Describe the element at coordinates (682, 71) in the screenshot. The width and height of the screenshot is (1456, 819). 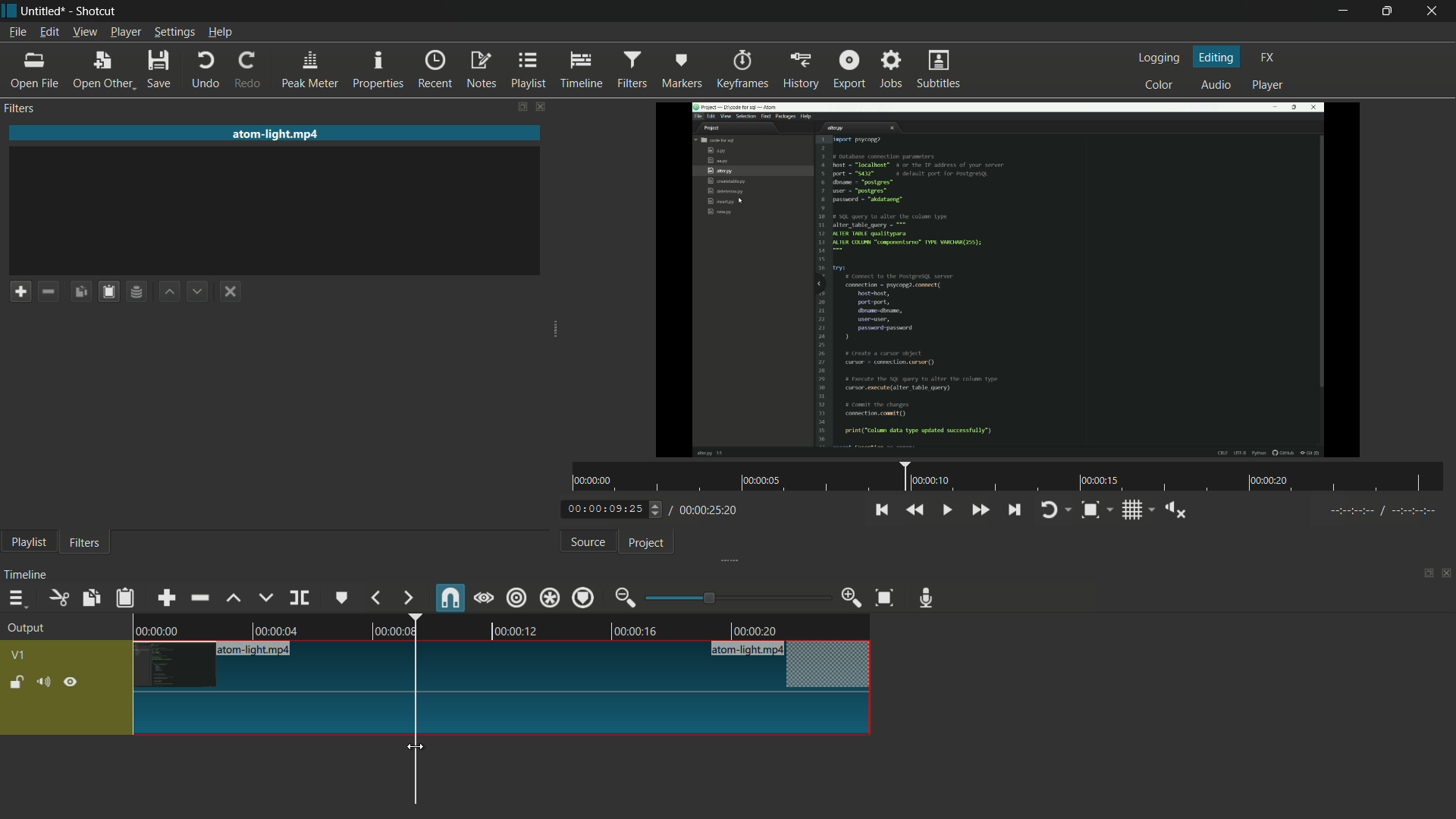
I see `markers` at that location.